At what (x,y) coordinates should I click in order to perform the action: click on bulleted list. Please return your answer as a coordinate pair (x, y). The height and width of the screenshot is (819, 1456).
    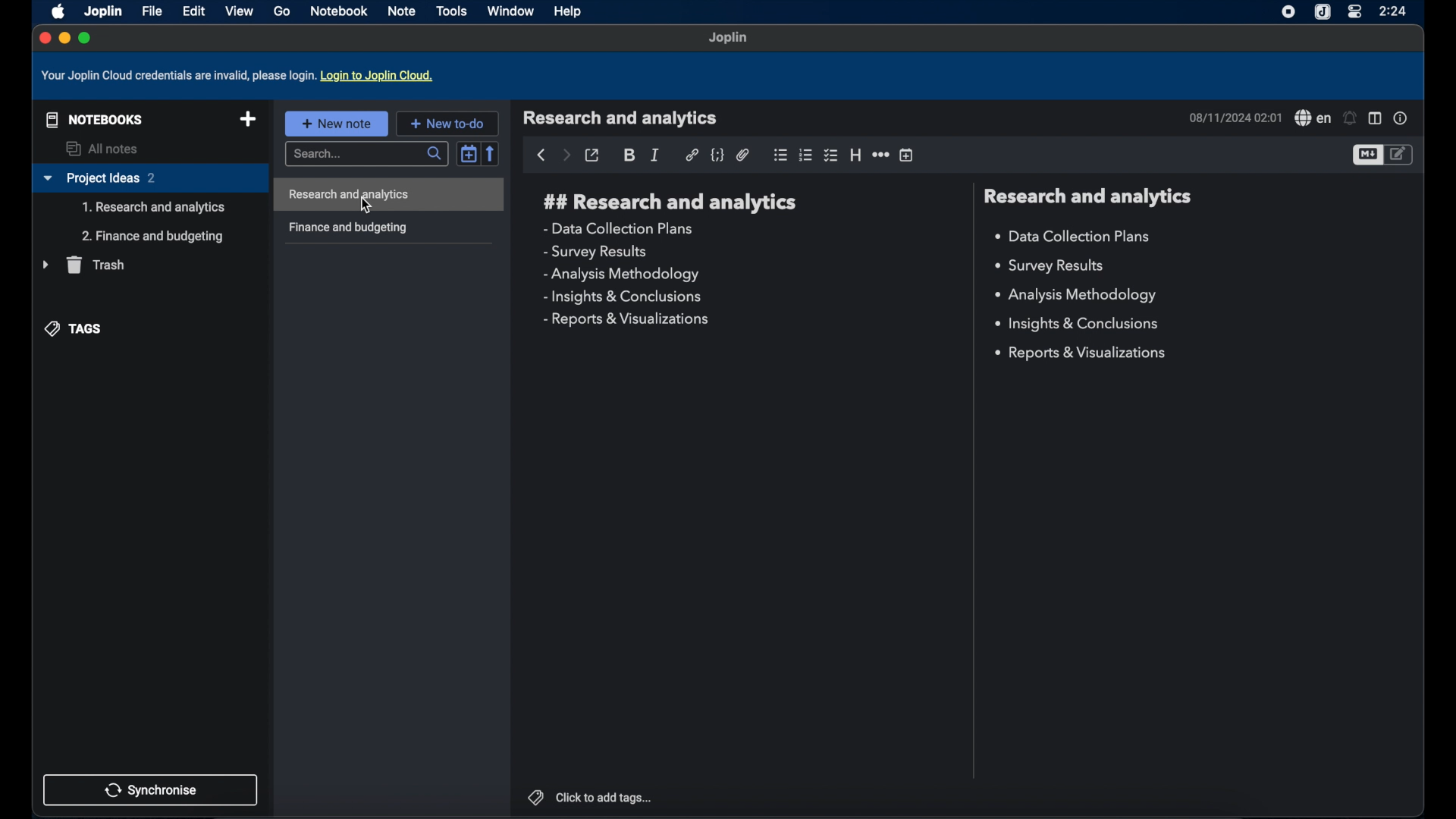
    Looking at the image, I should click on (780, 155).